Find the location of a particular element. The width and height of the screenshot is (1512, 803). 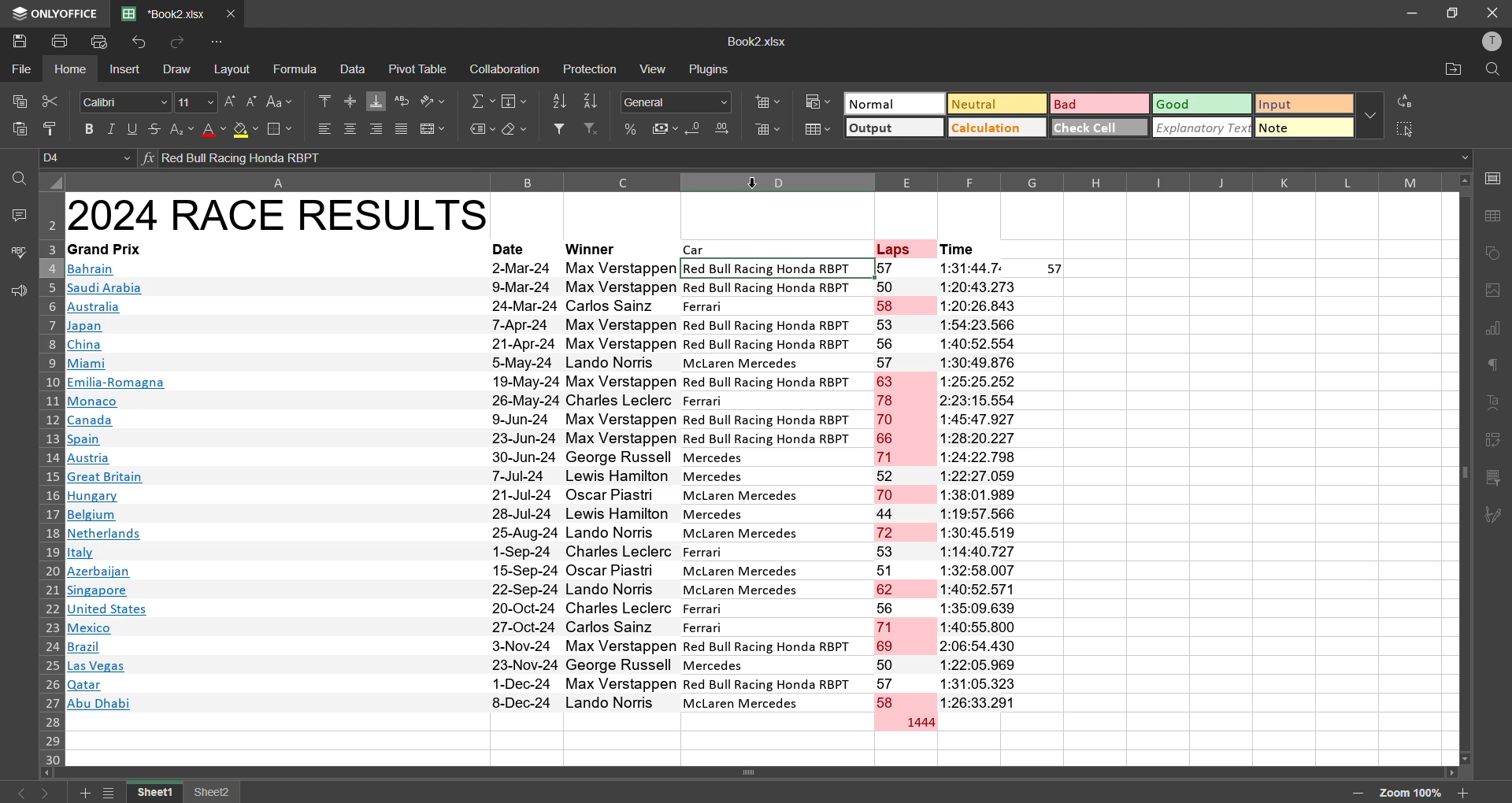

table is located at coordinates (1496, 216).